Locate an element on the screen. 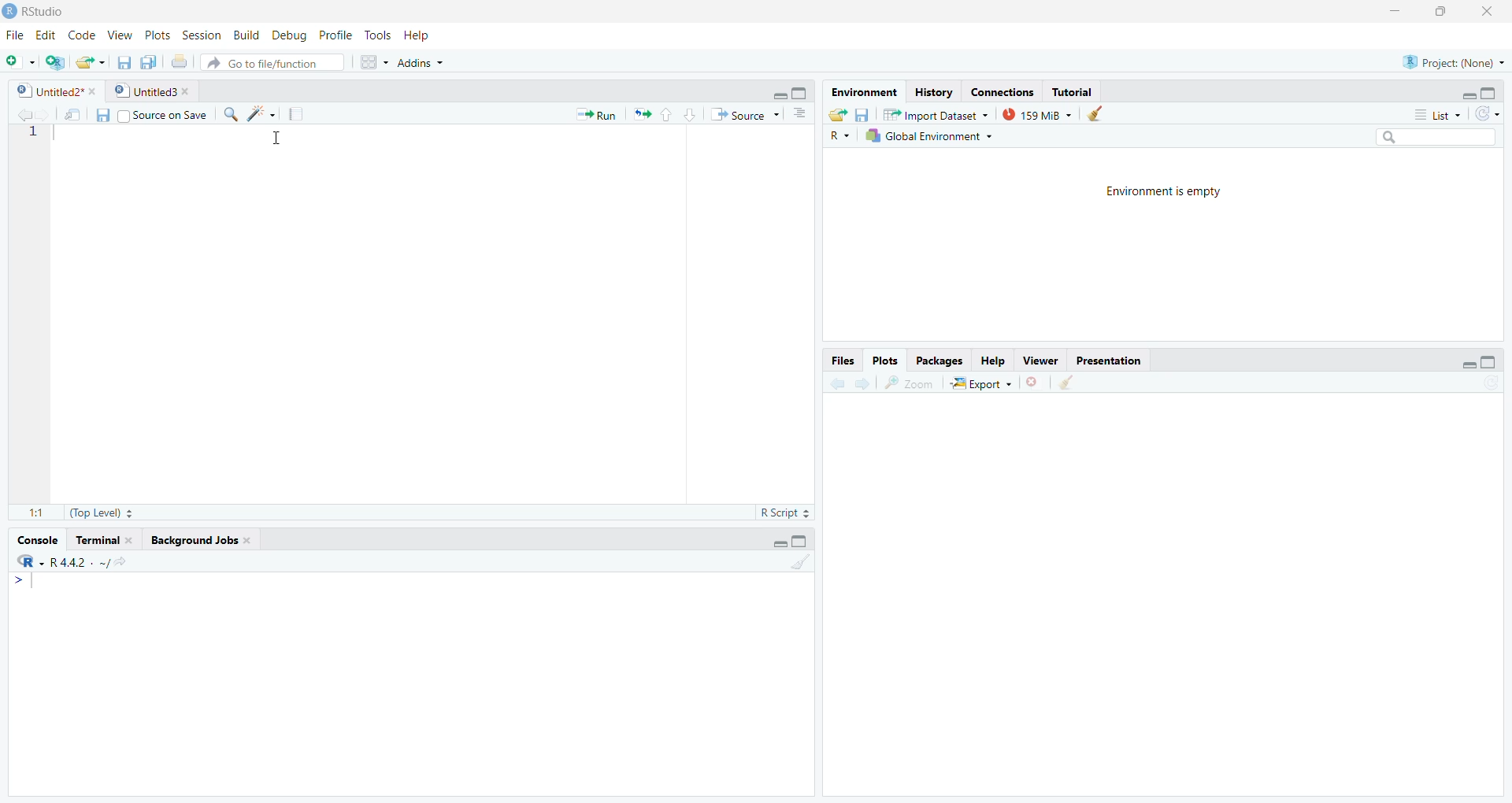 The width and height of the screenshot is (1512, 803). clean is located at coordinates (1093, 113).